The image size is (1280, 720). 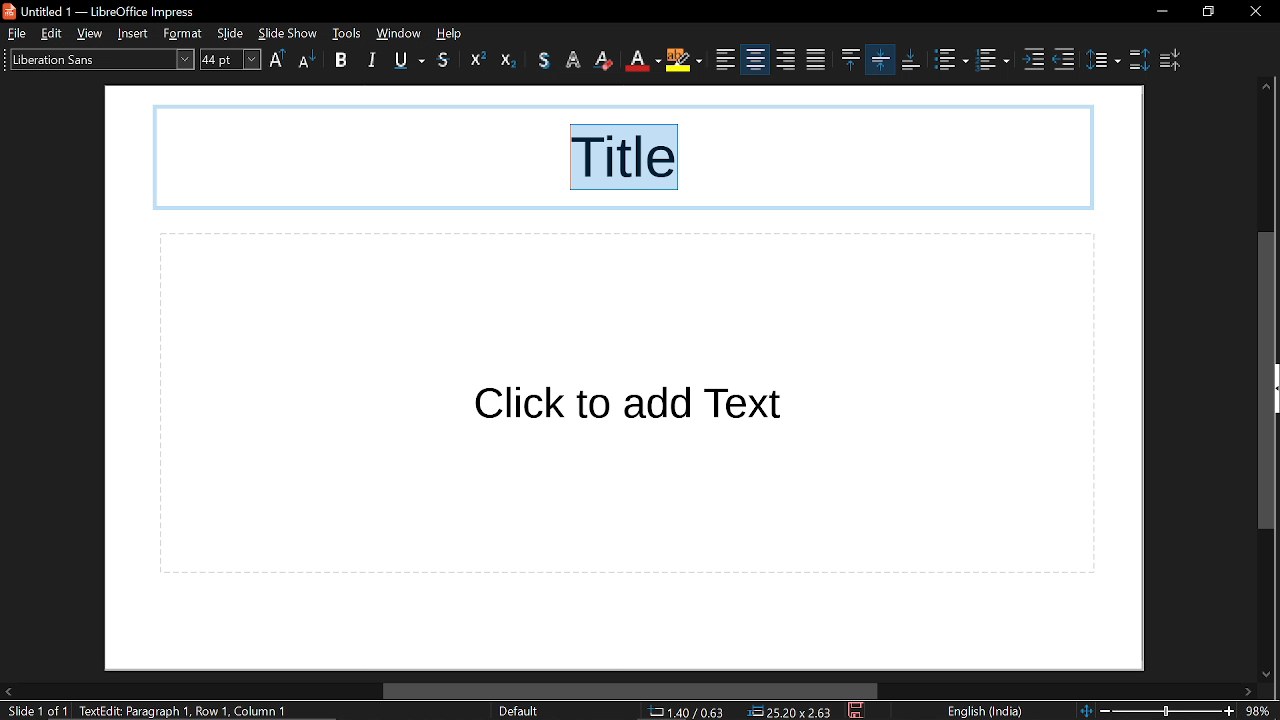 What do you see at coordinates (1209, 12) in the screenshot?
I see `restore down` at bounding box center [1209, 12].